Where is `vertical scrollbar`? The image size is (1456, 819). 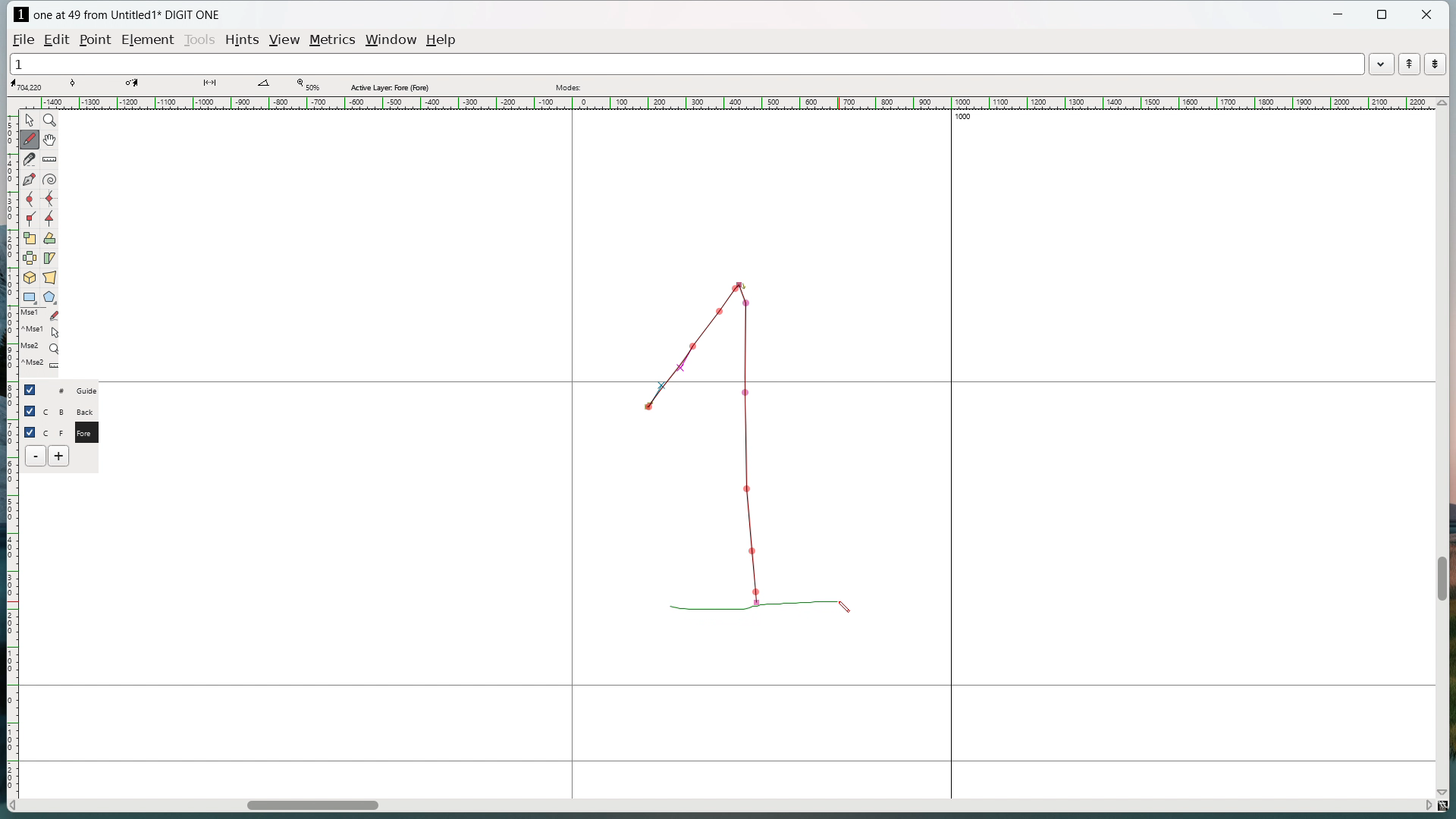 vertical scrollbar is located at coordinates (1441, 579).